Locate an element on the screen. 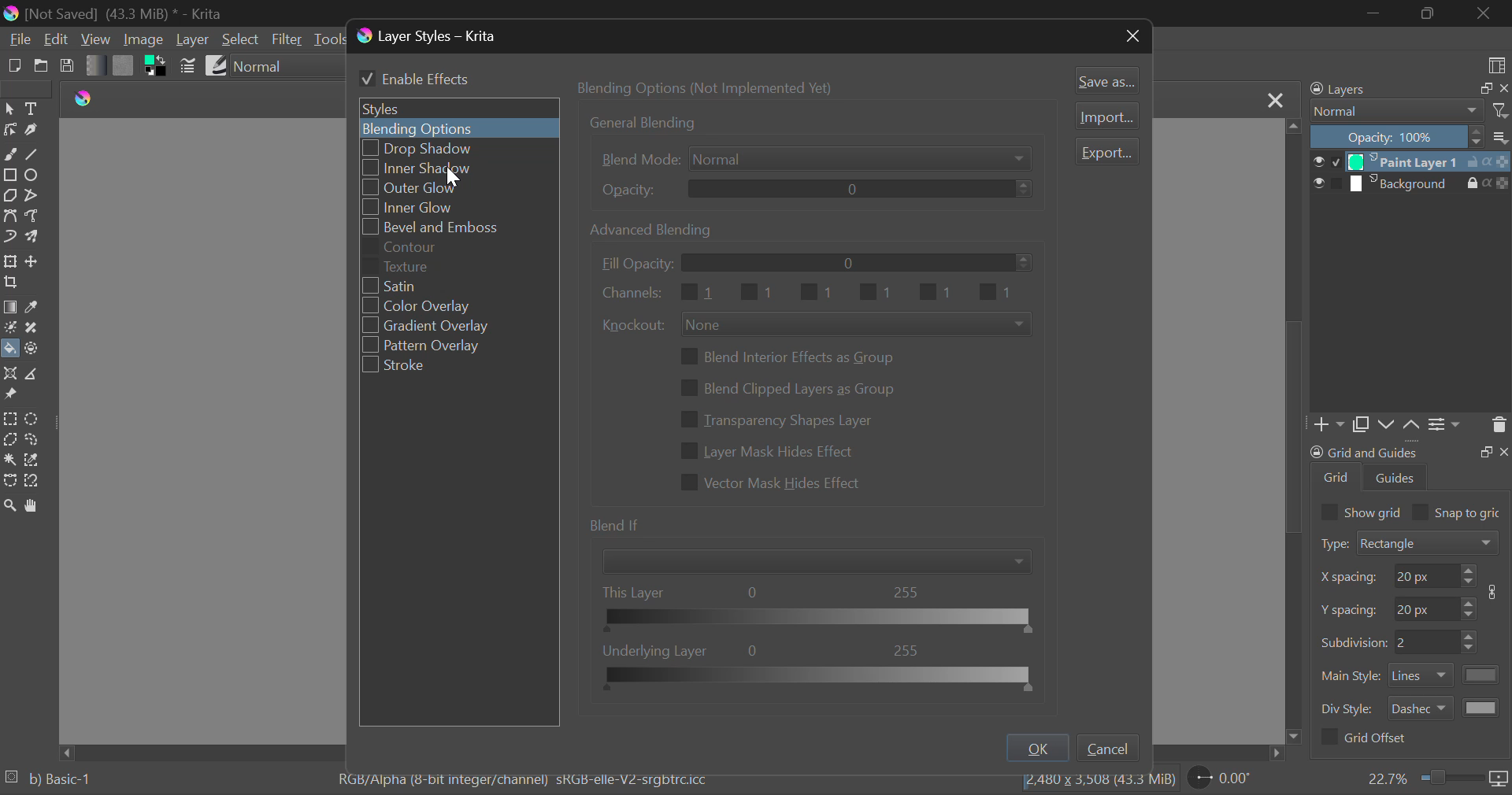 The width and height of the screenshot is (1512, 795). Styles is located at coordinates (457, 107).